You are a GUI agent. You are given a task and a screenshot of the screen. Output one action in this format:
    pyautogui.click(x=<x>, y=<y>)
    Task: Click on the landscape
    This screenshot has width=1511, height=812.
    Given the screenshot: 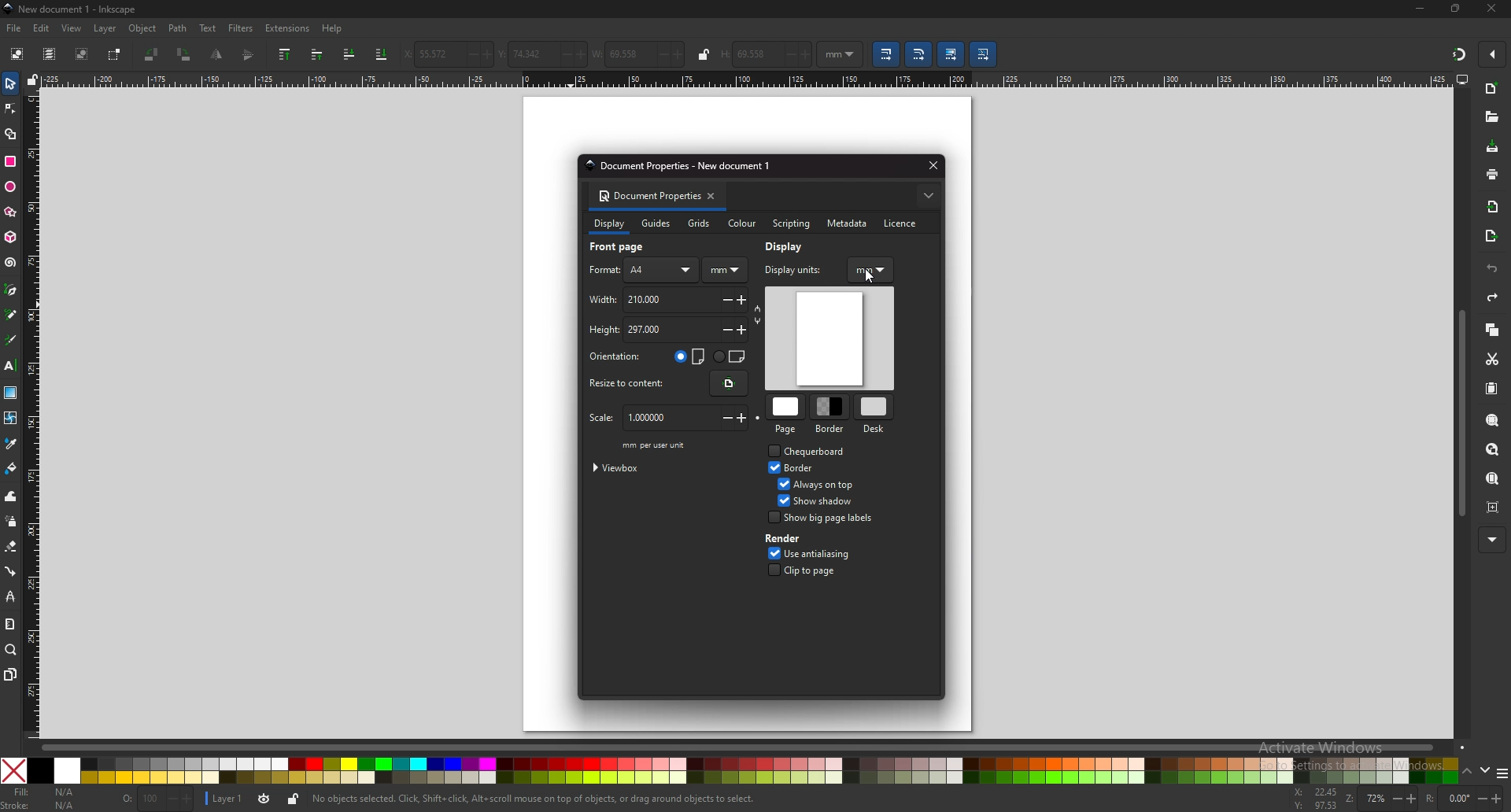 What is the action you would take?
    pyautogui.click(x=730, y=355)
    